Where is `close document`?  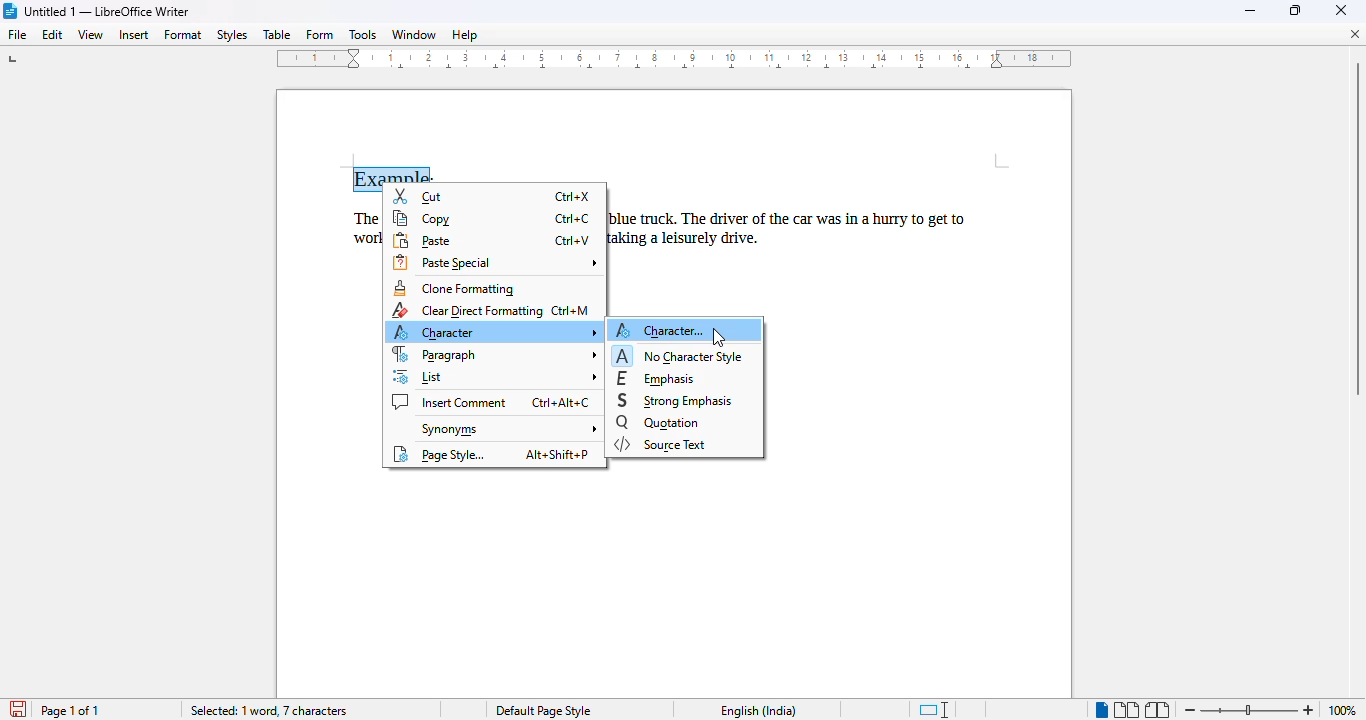 close document is located at coordinates (1356, 34).